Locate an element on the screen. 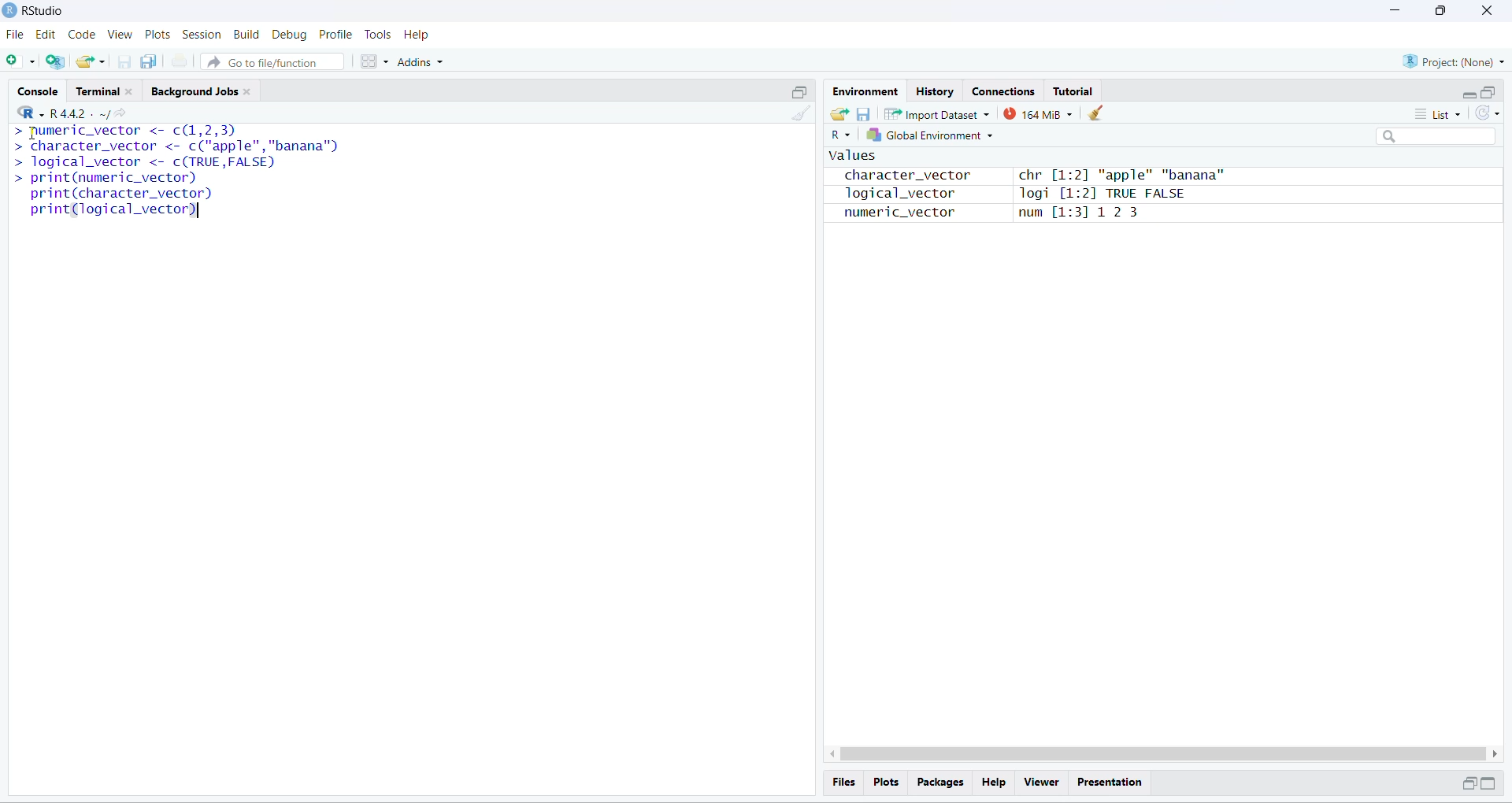  Tutorial is located at coordinates (1073, 91).